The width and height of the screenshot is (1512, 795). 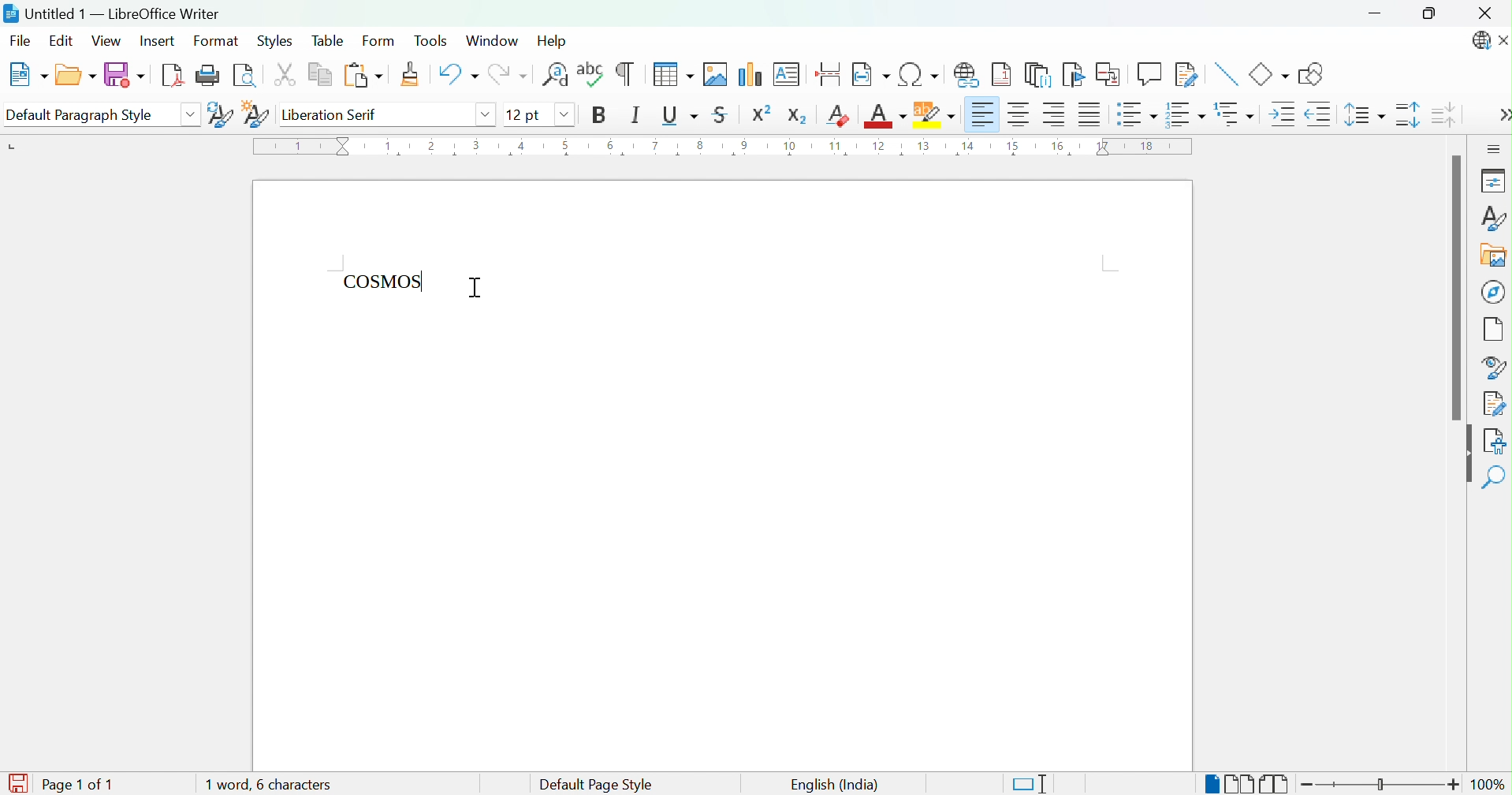 What do you see at coordinates (1478, 43) in the screenshot?
I see `LibreOffice Update Available` at bounding box center [1478, 43].